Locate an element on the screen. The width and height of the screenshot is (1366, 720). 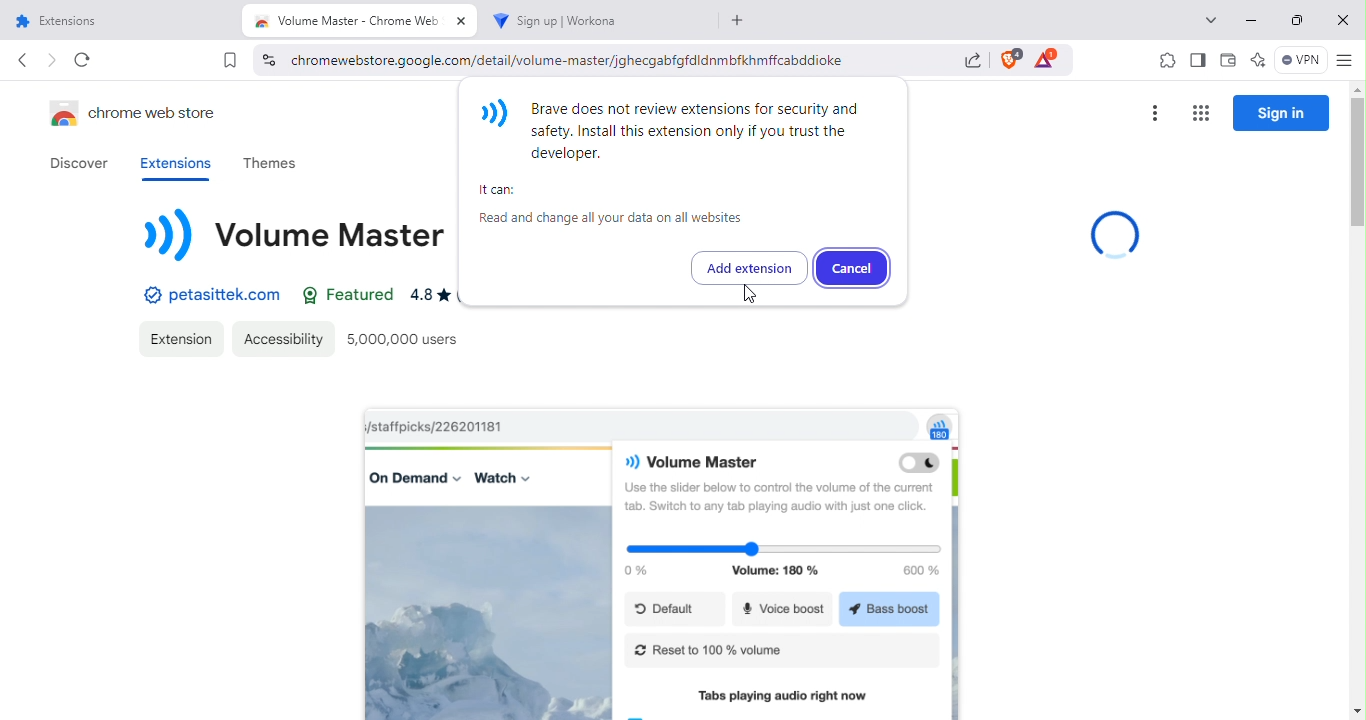
image is located at coordinates (664, 565).